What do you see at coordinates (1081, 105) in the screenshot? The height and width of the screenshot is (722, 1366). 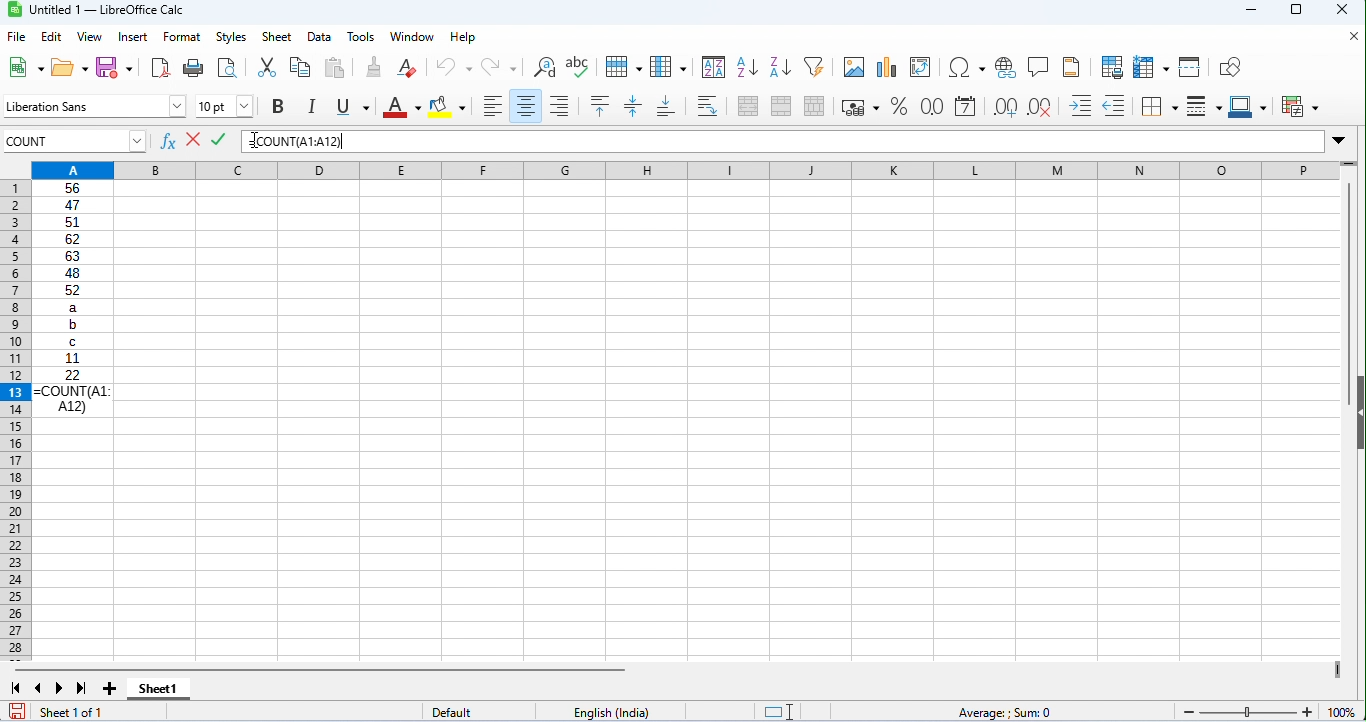 I see `increase indent` at bounding box center [1081, 105].